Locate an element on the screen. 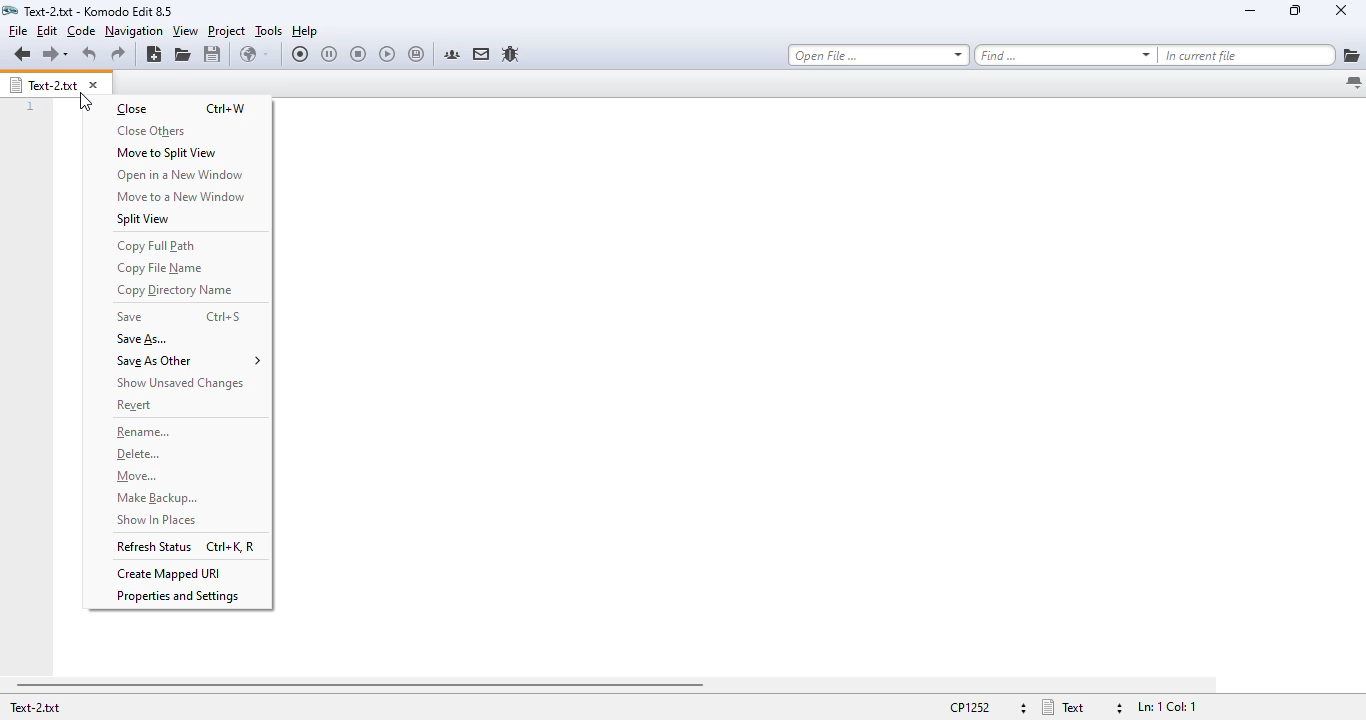 The image size is (1366, 720). go back one location is located at coordinates (23, 53).